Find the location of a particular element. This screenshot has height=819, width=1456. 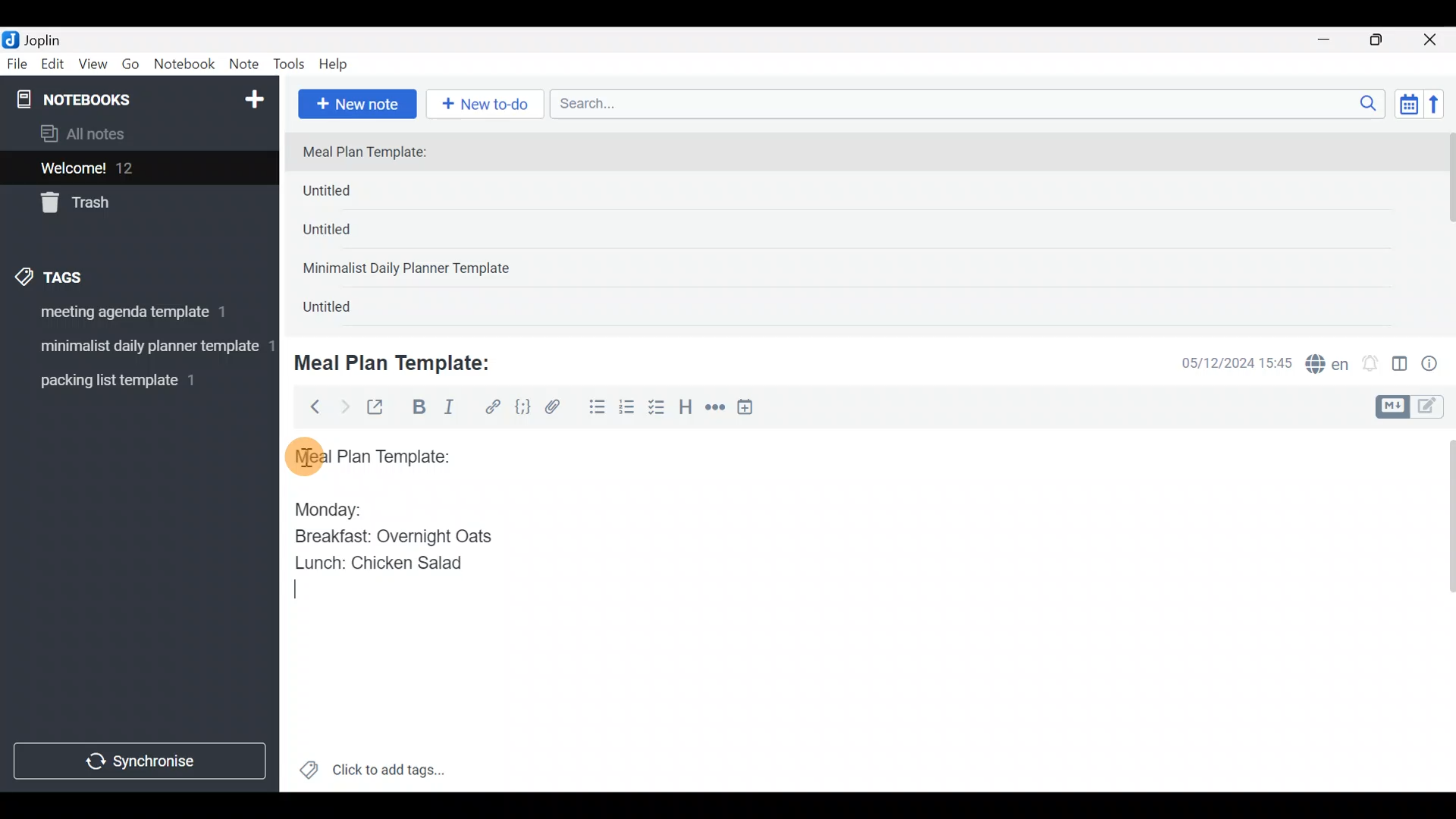

Bulleted list is located at coordinates (594, 408).